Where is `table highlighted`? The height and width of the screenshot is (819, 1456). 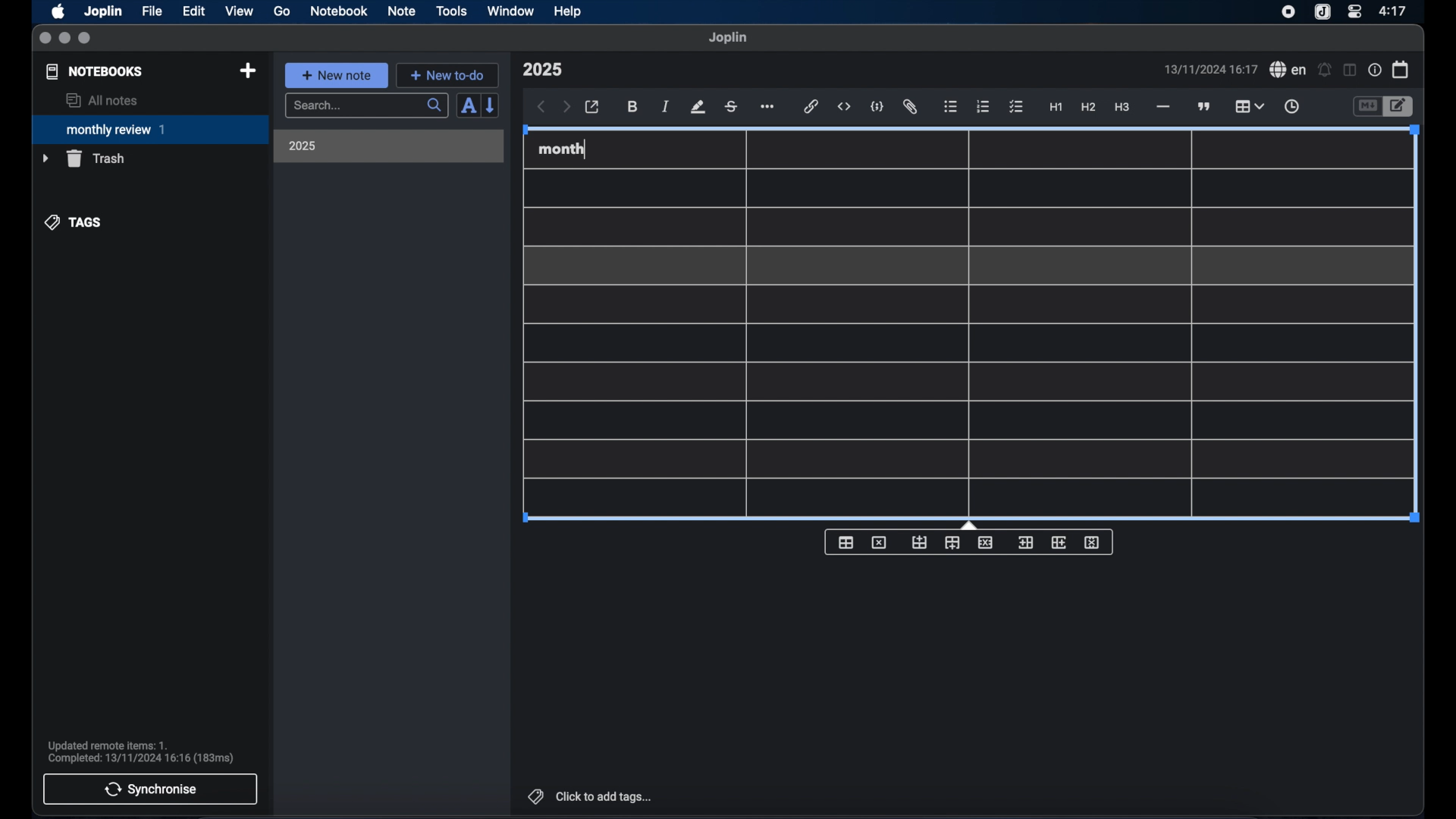
table highlighted is located at coordinates (1247, 106).